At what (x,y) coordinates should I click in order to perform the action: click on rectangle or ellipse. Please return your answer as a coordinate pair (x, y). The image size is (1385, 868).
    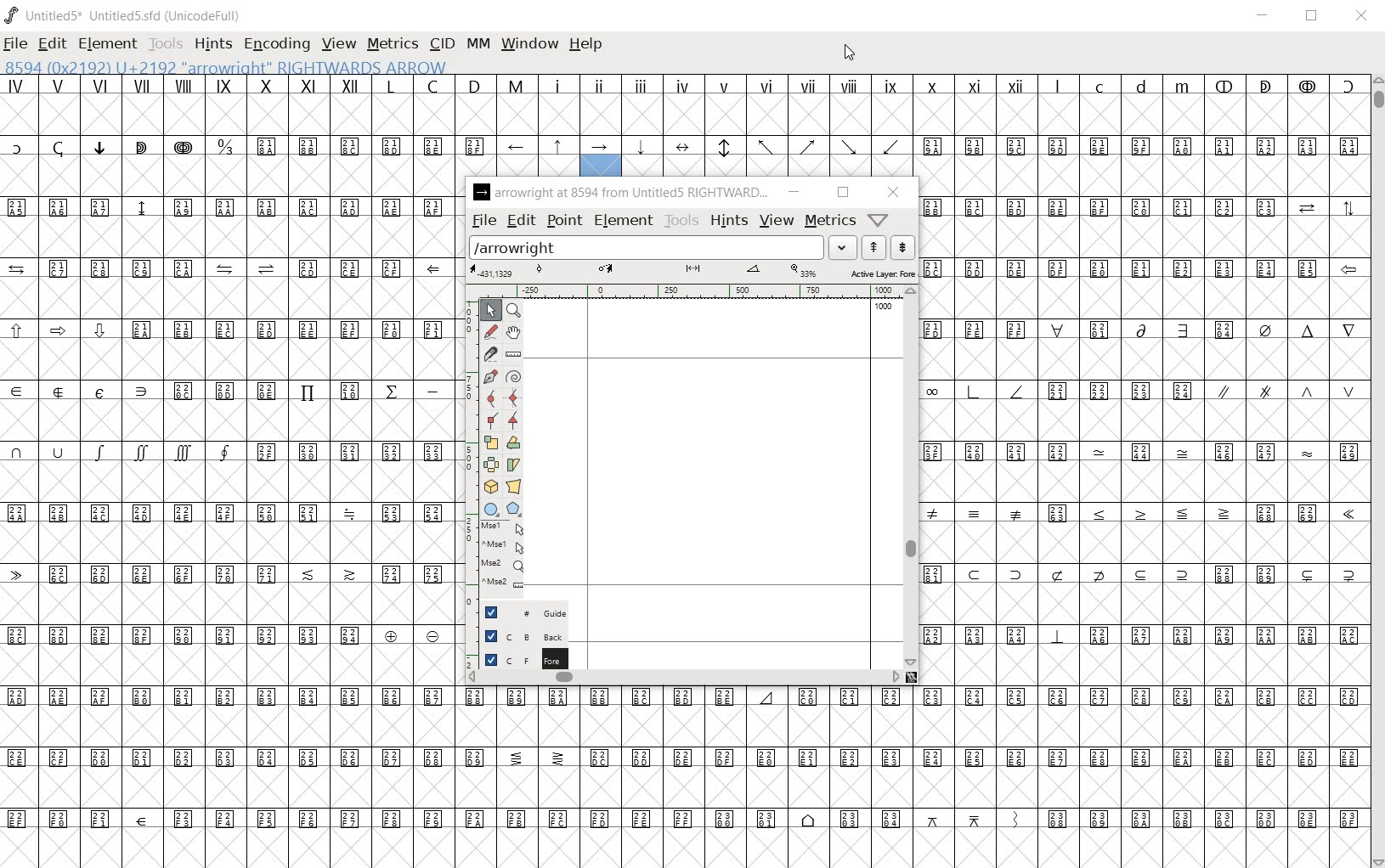
    Looking at the image, I should click on (491, 509).